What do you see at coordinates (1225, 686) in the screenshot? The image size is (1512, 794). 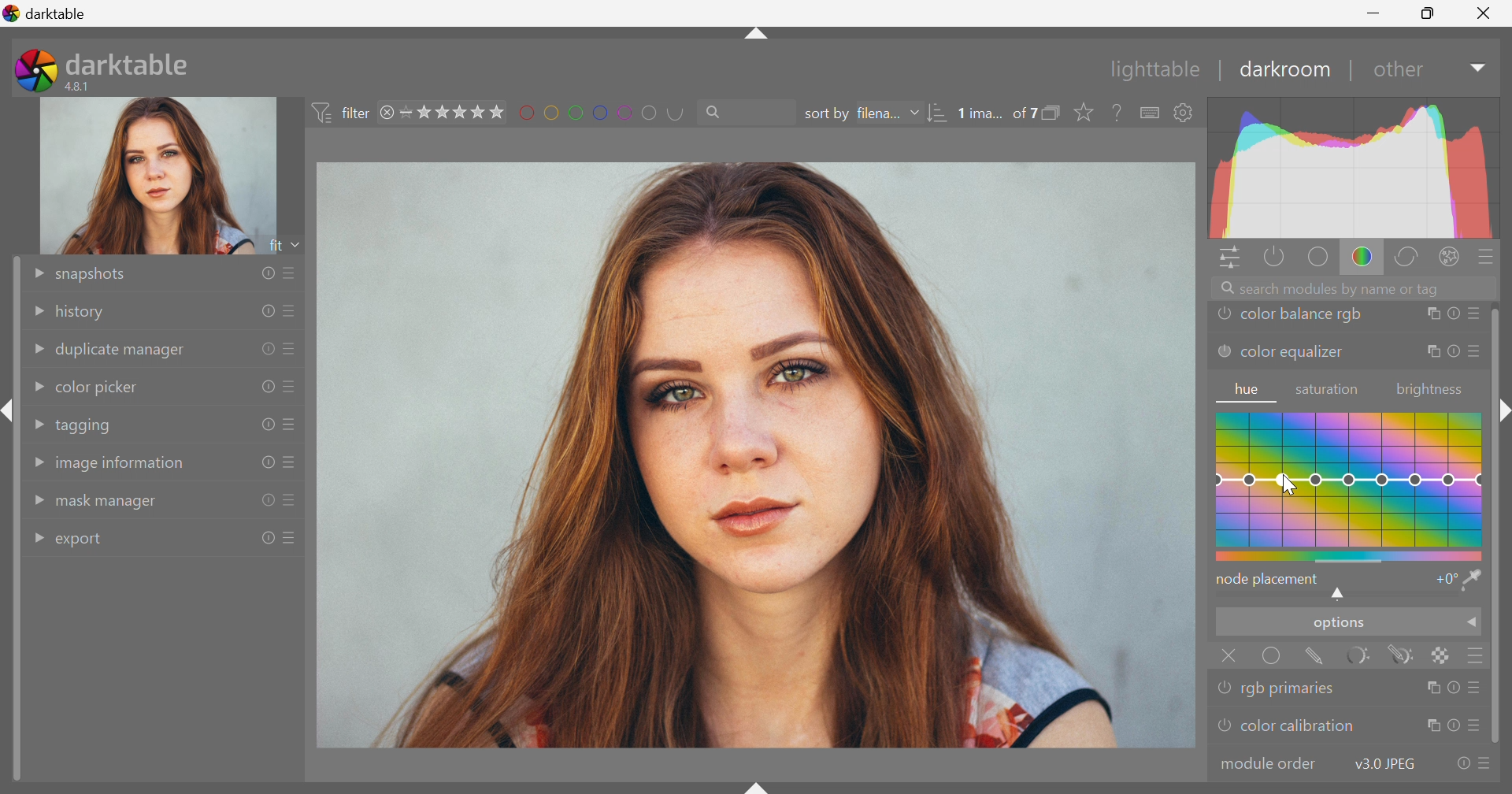 I see `'rgb primaries' is switched off` at bounding box center [1225, 686].